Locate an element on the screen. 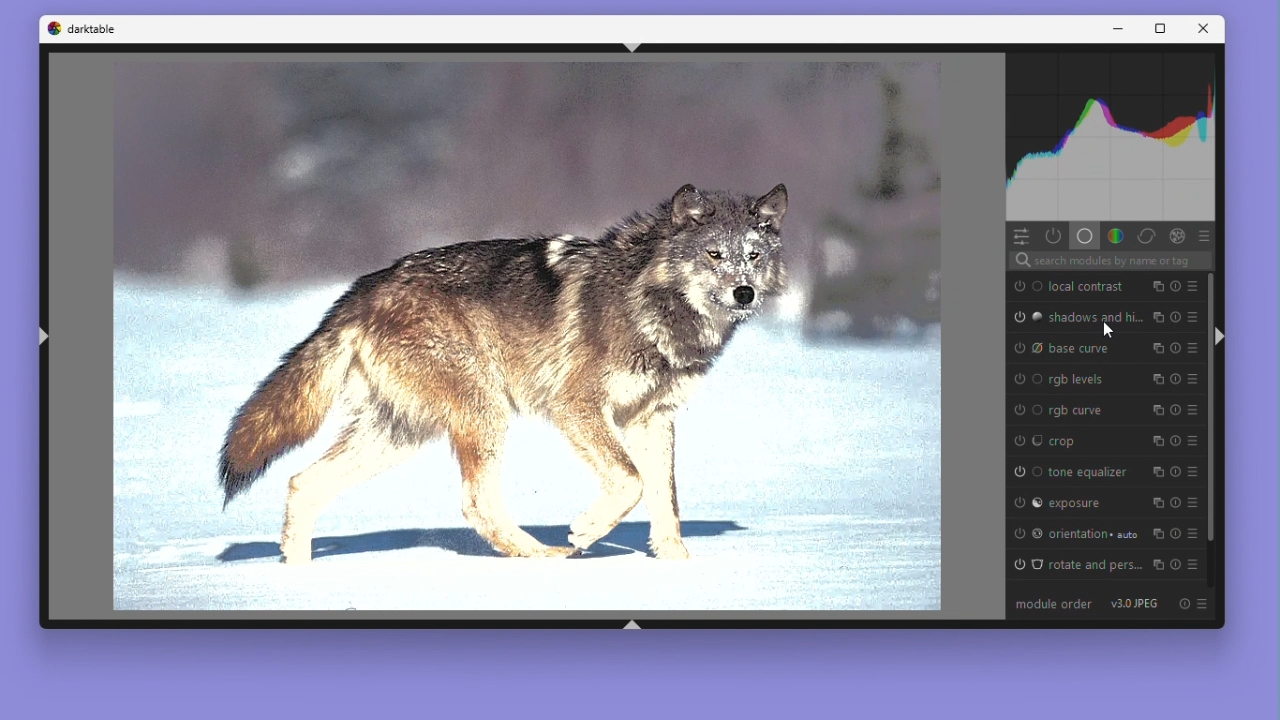 The height and width of the screenshot is (720, 1280). shift+ctrl+l is located at coordinates (41, 340).